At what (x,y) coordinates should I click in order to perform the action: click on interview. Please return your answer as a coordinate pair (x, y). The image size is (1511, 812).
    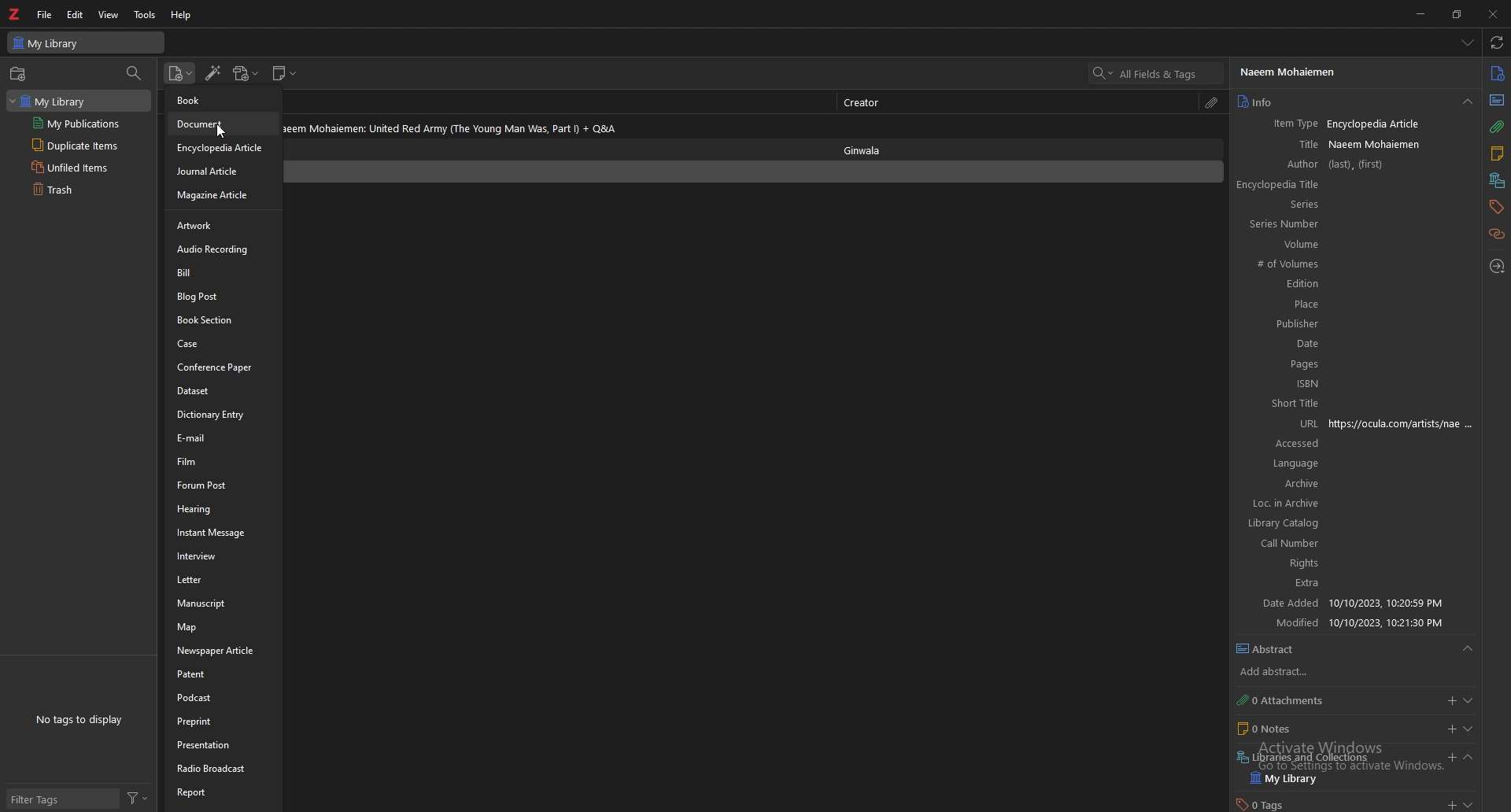
    Looking at the image, I should click on (220, 555).